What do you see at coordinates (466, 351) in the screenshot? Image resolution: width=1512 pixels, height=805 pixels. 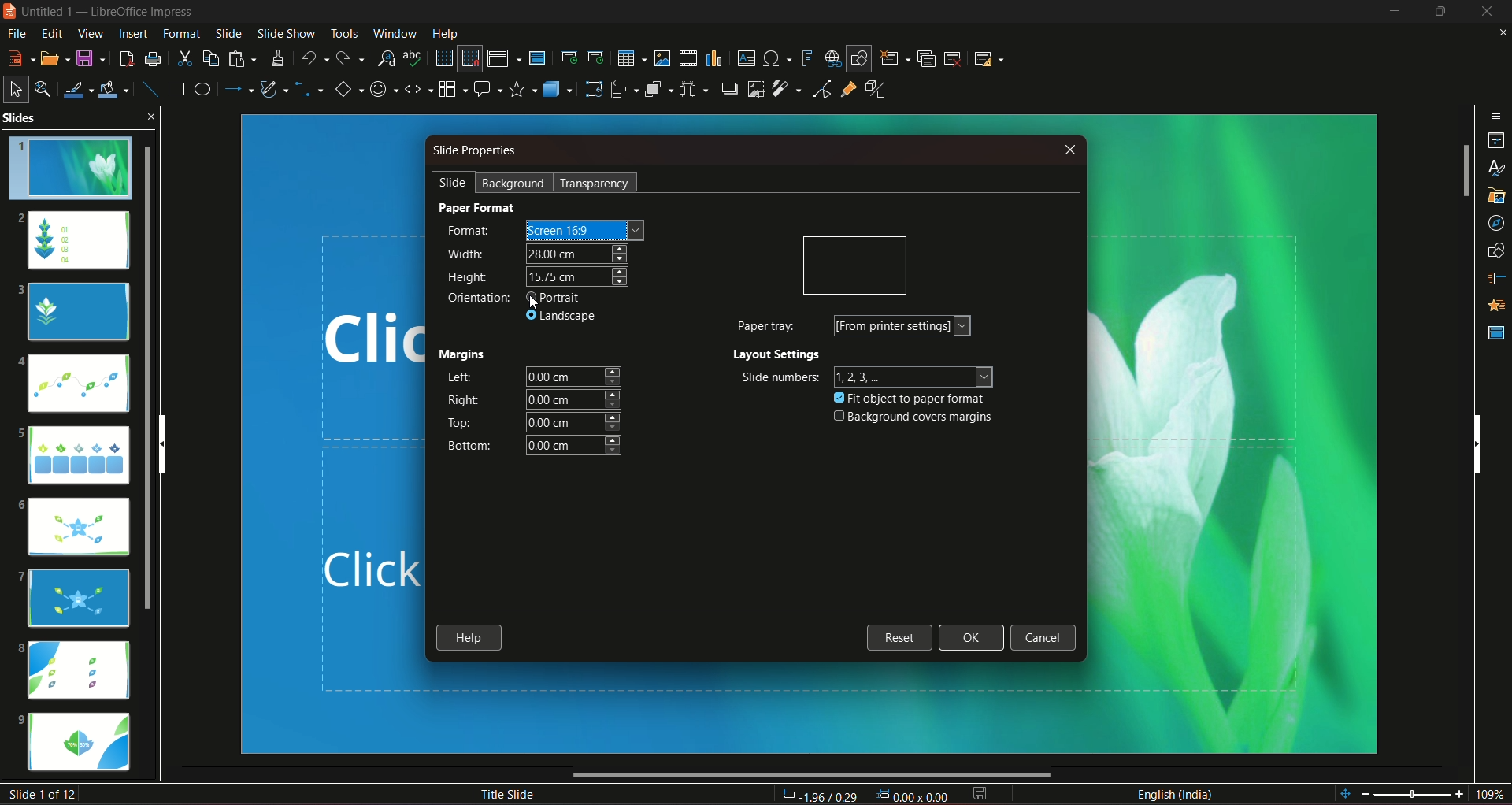 I see `margins` at bounding box center [466, 351].